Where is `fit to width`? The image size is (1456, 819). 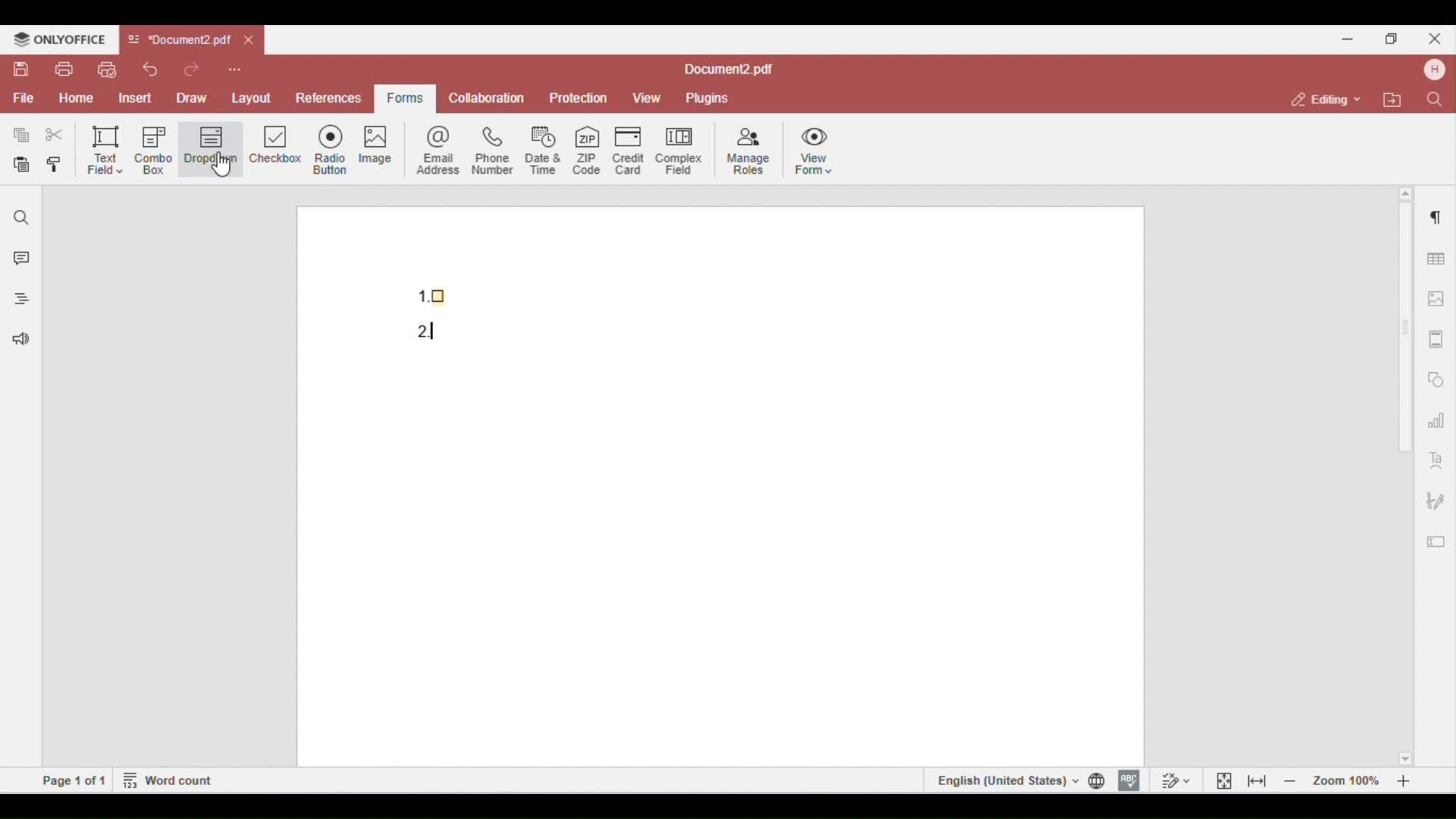
fit to width is located at coordinates (1257, 780).